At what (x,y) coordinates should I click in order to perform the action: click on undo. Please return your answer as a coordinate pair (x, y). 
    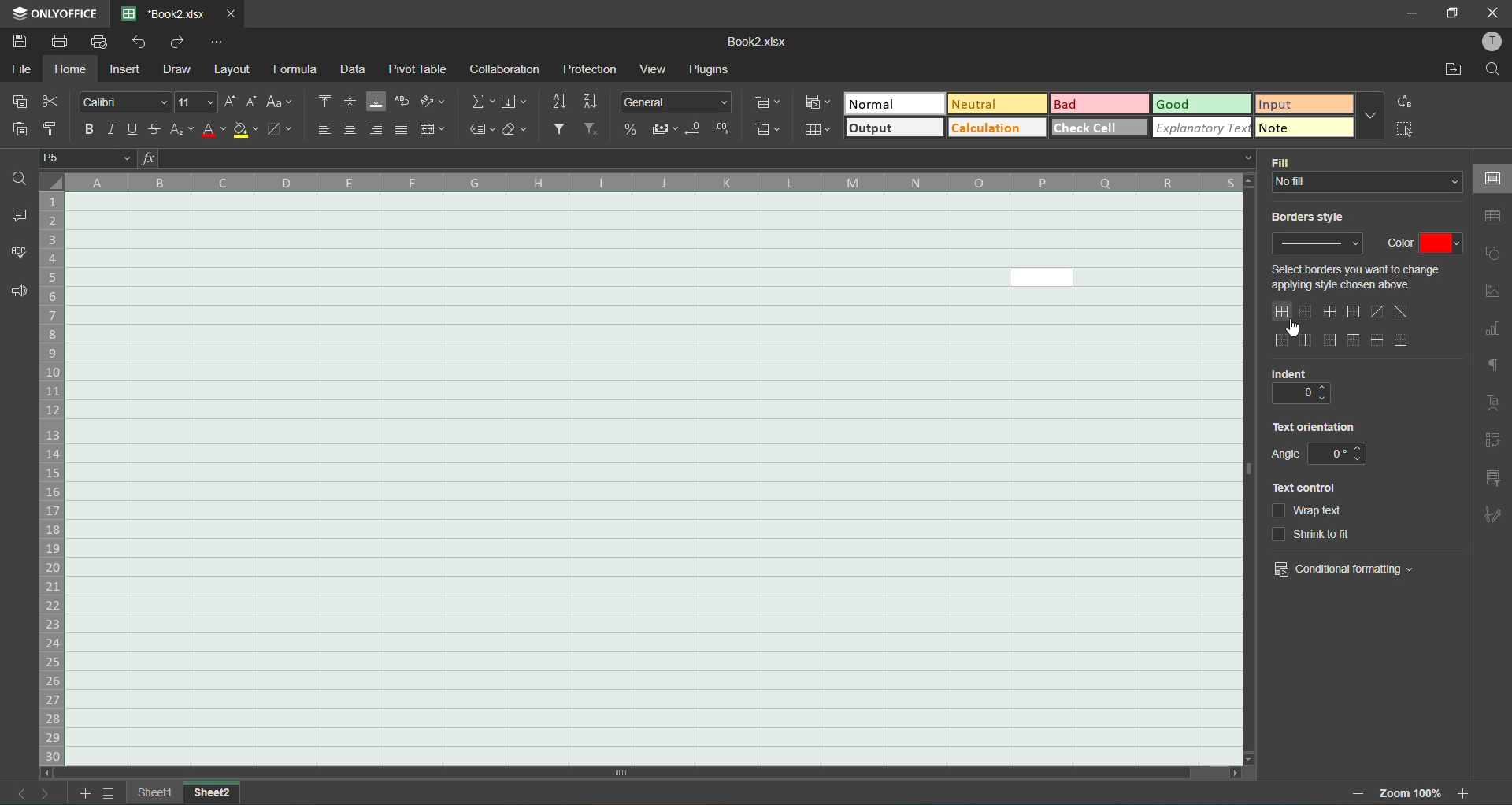
    Looking at the image, I should click on (143, 45).